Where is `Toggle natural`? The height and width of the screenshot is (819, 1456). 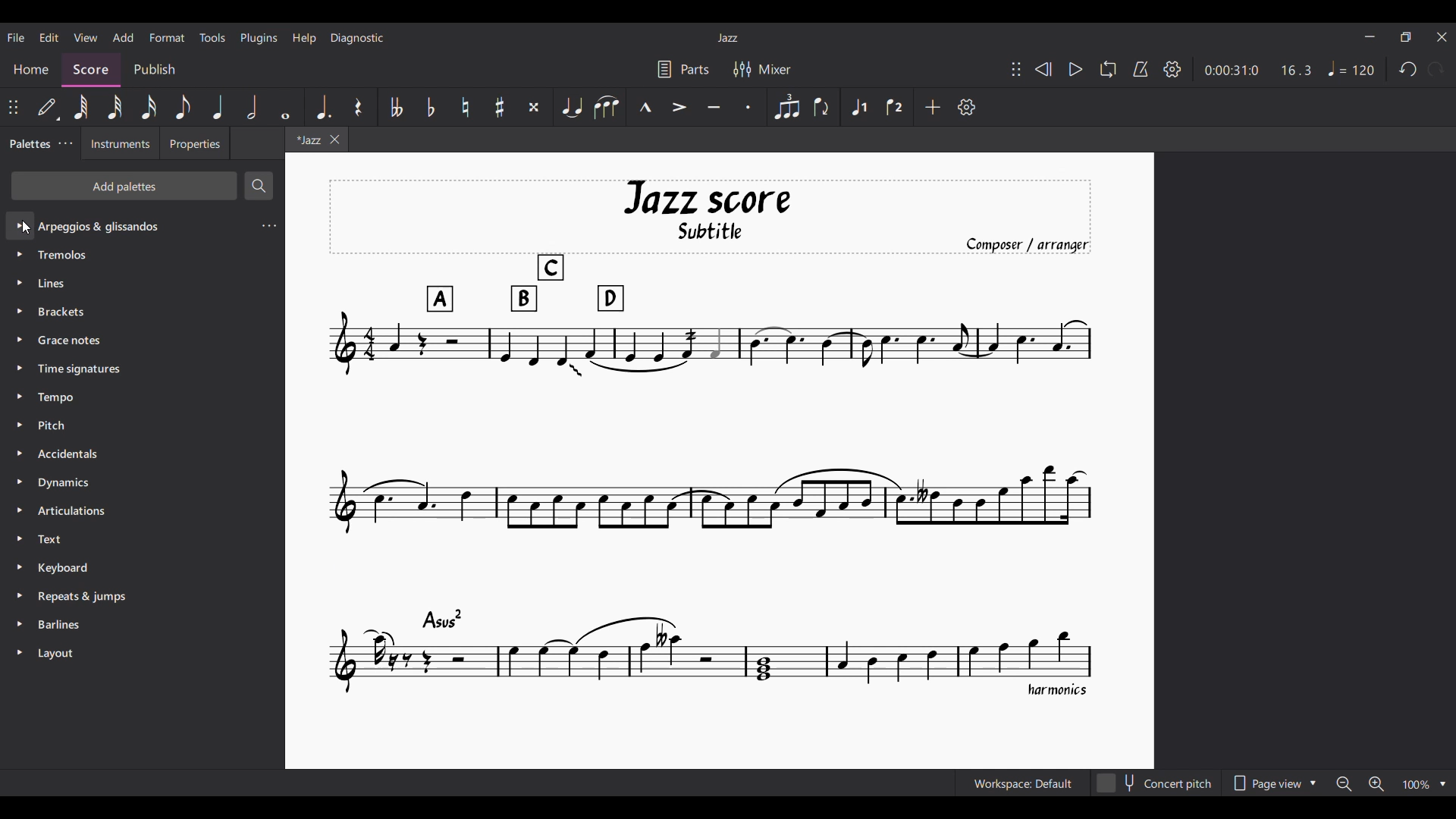
Toggle natural is located at coordinates (466, 107).